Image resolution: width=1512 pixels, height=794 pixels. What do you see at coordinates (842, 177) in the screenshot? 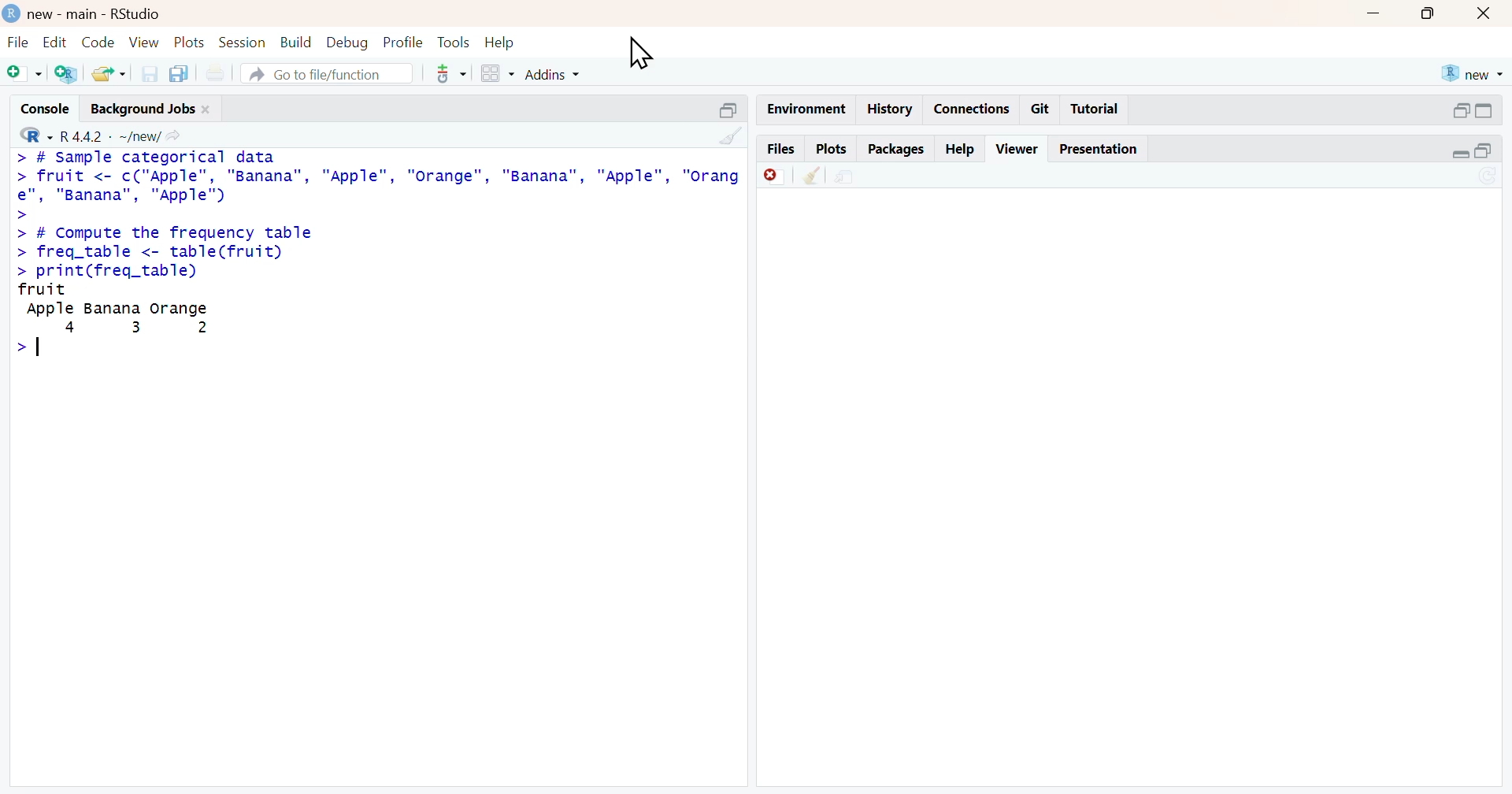
I see `show in new window` at bounding box center [842, 177].